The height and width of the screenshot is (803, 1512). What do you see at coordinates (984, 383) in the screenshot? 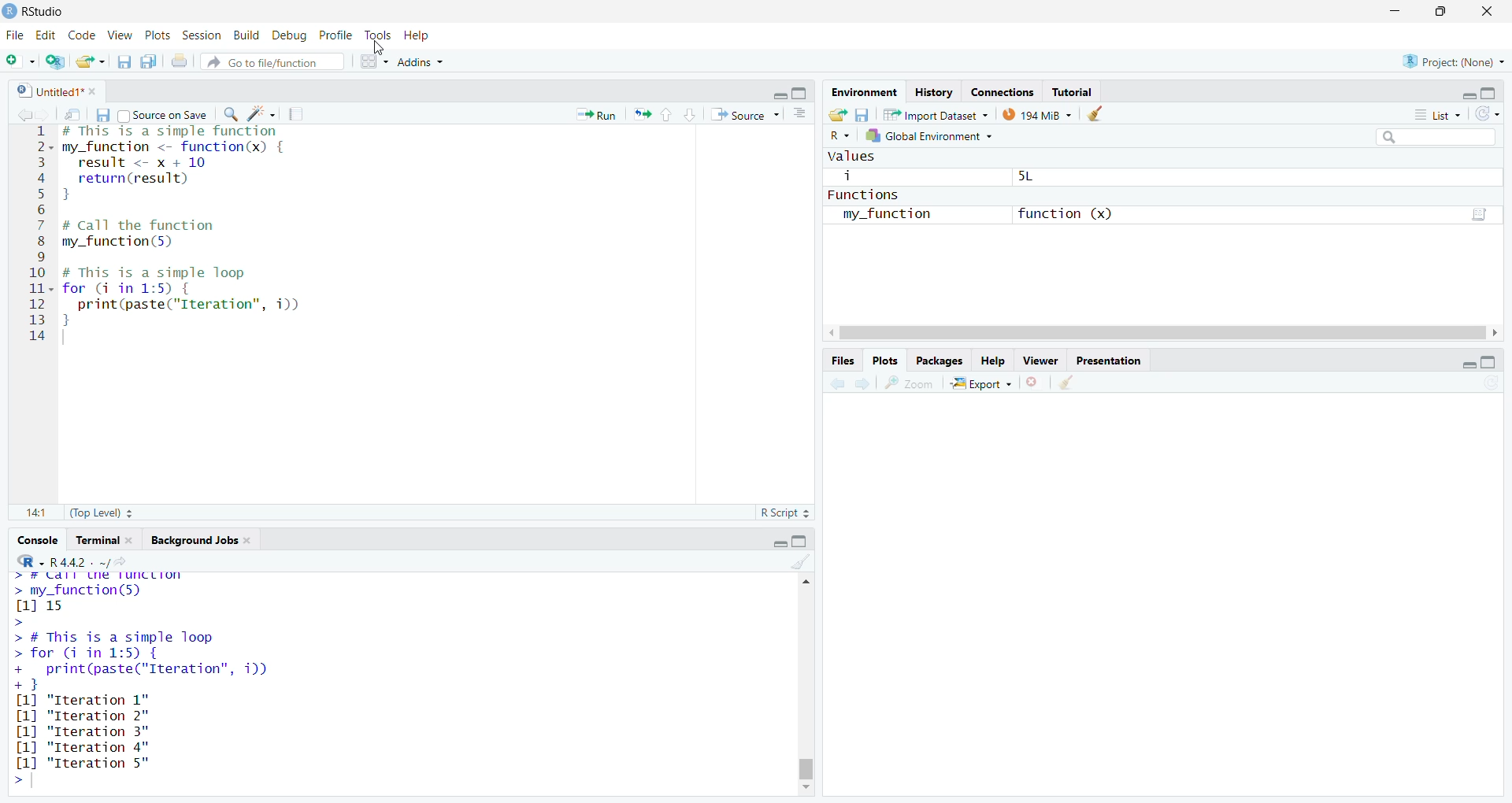
I see `export` at bounding box center [984, 383].